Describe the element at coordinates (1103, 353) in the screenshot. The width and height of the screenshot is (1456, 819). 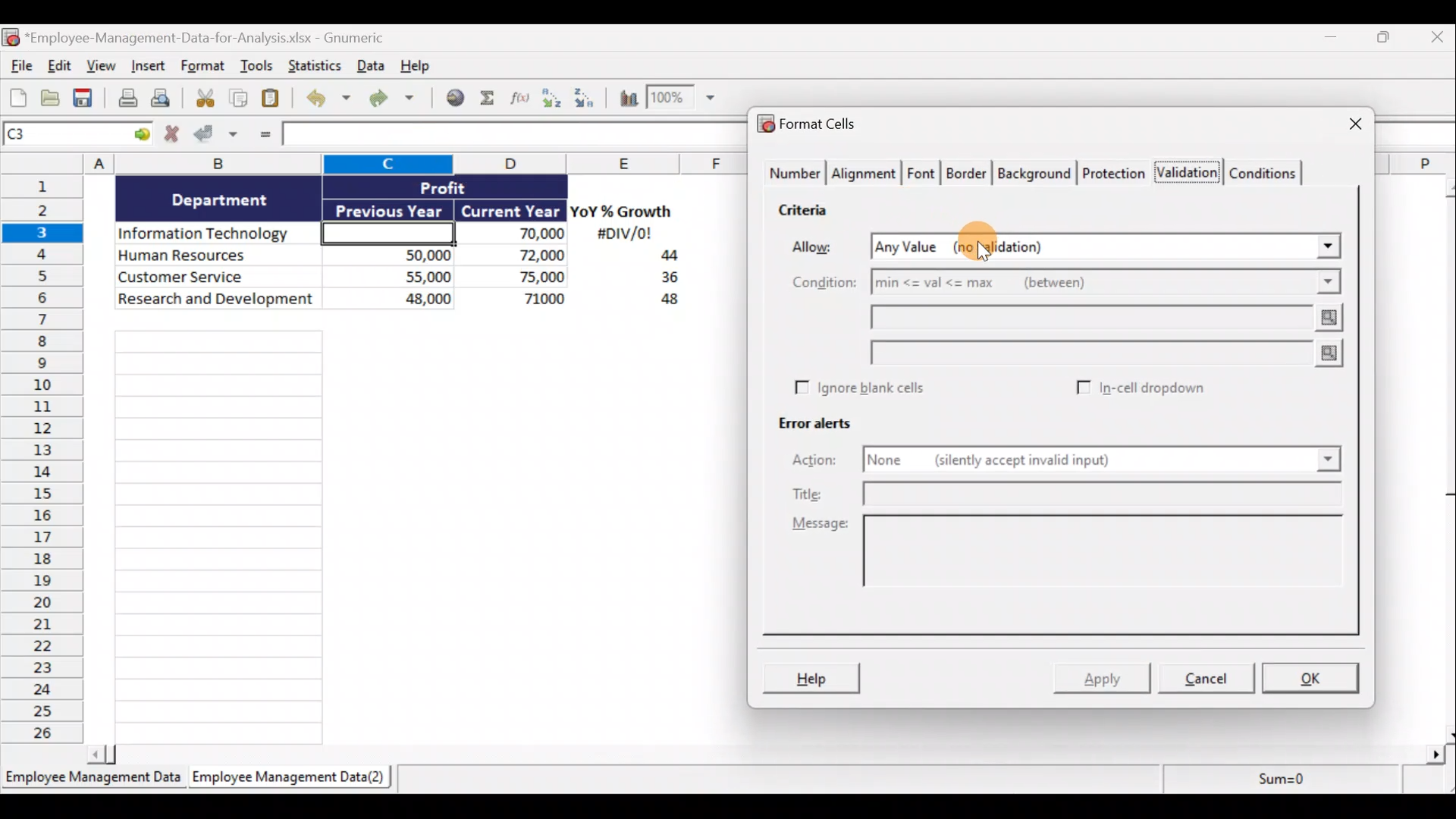
I see `Max value` at that location.